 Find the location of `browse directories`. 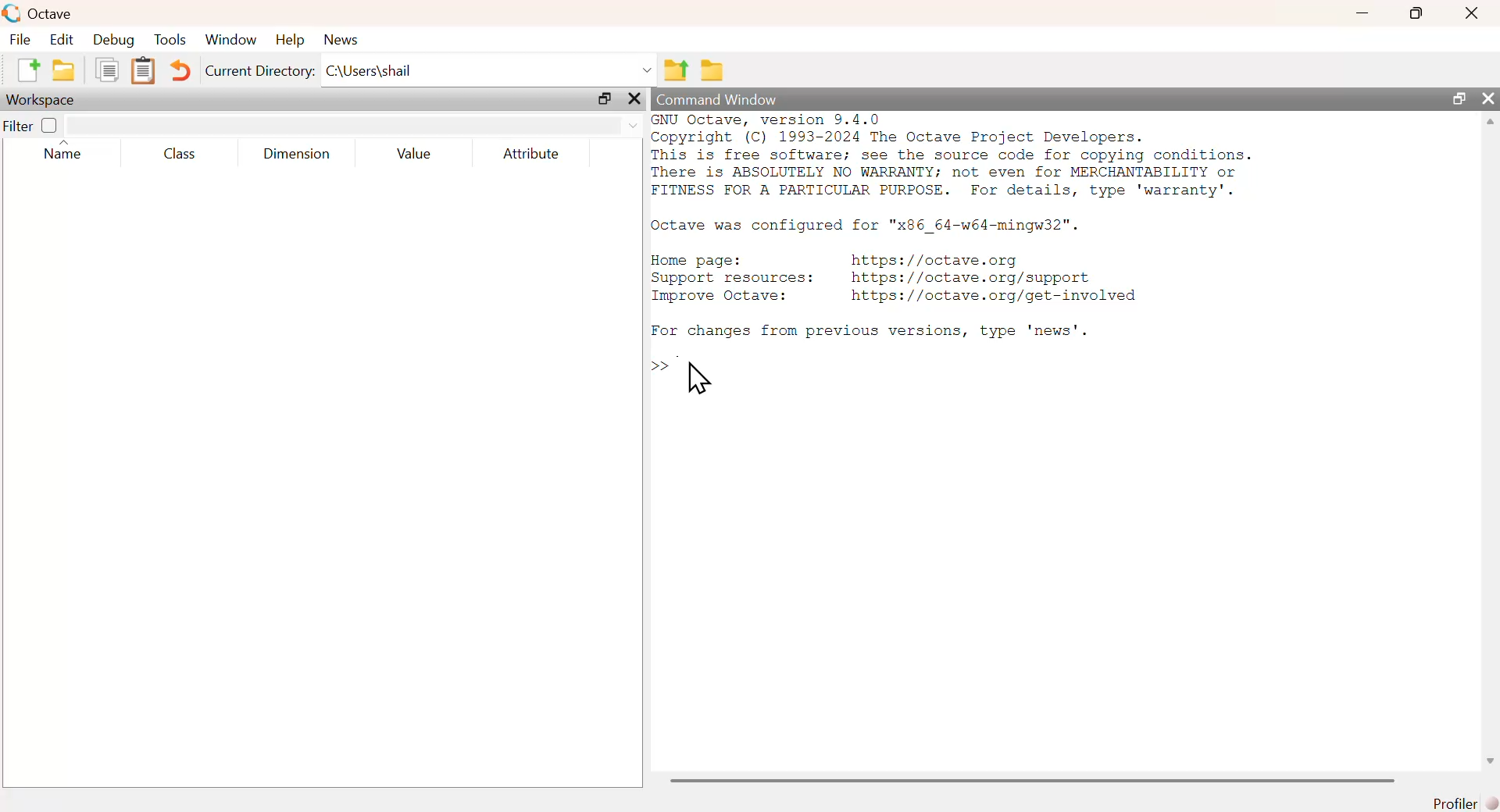

browse directories is located at coordinates (713, 71).